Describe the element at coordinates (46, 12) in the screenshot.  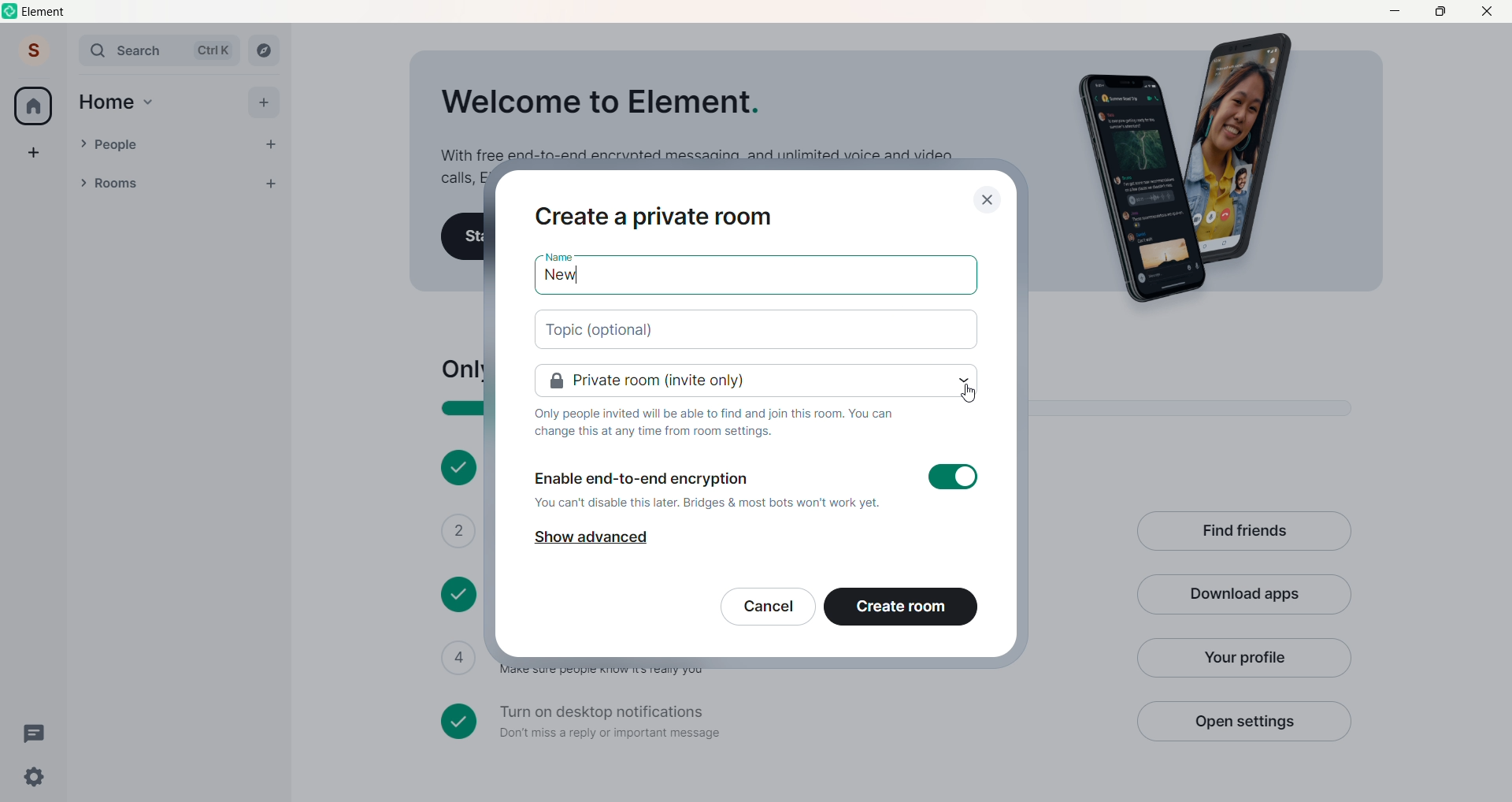
I see `Element` at that location.